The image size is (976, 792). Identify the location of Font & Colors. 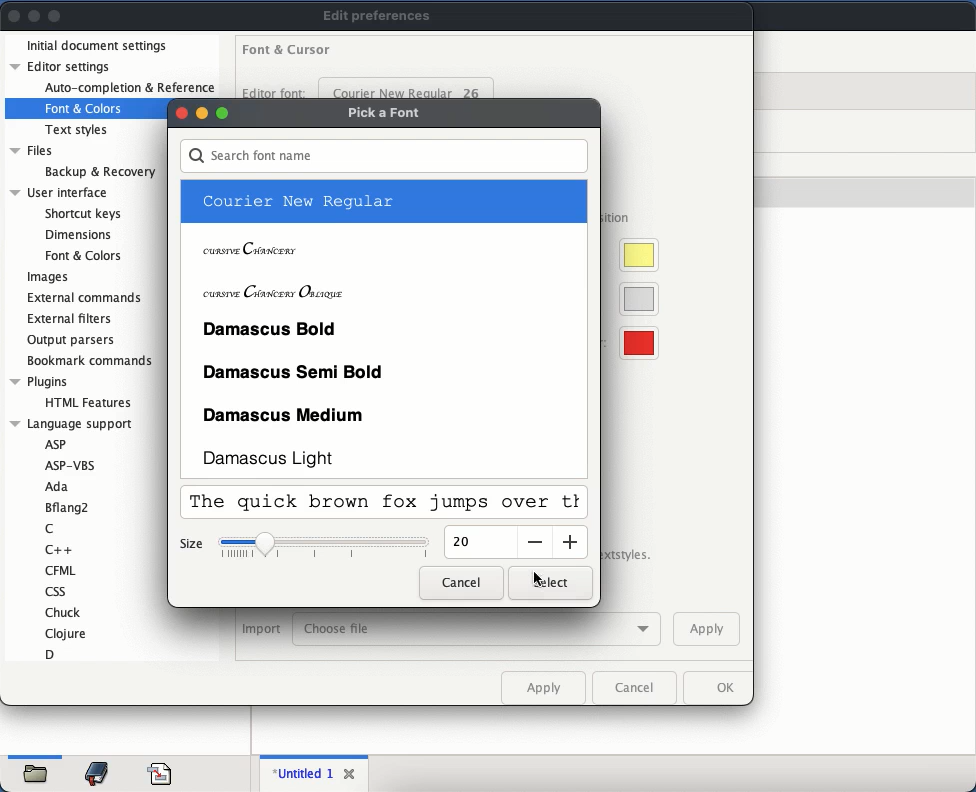
(82, 255).